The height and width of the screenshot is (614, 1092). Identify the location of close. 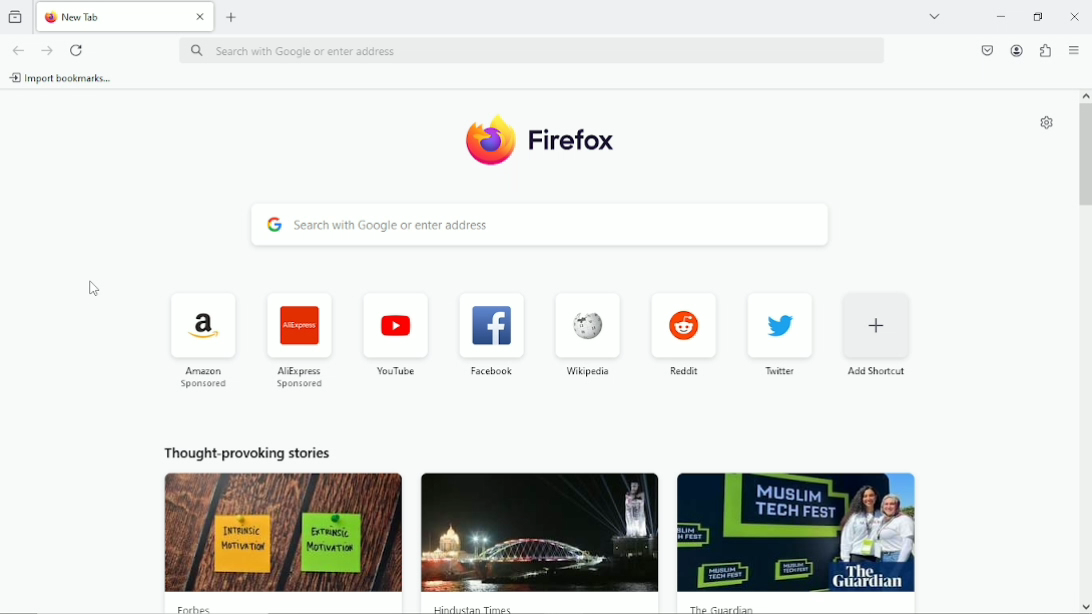
(199, 18).